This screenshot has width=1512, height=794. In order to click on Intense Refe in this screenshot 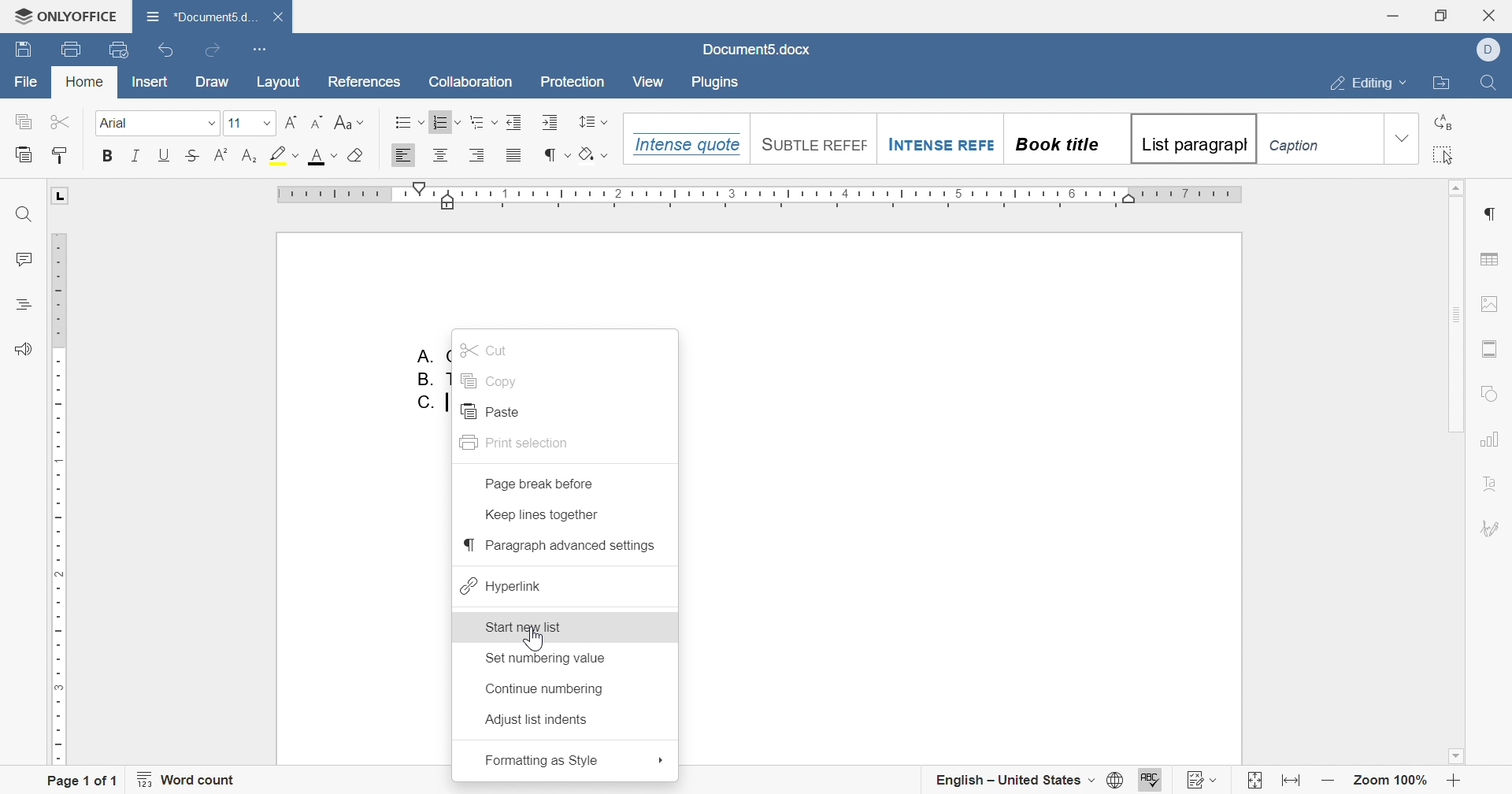, I will do `click(939, 147)`.